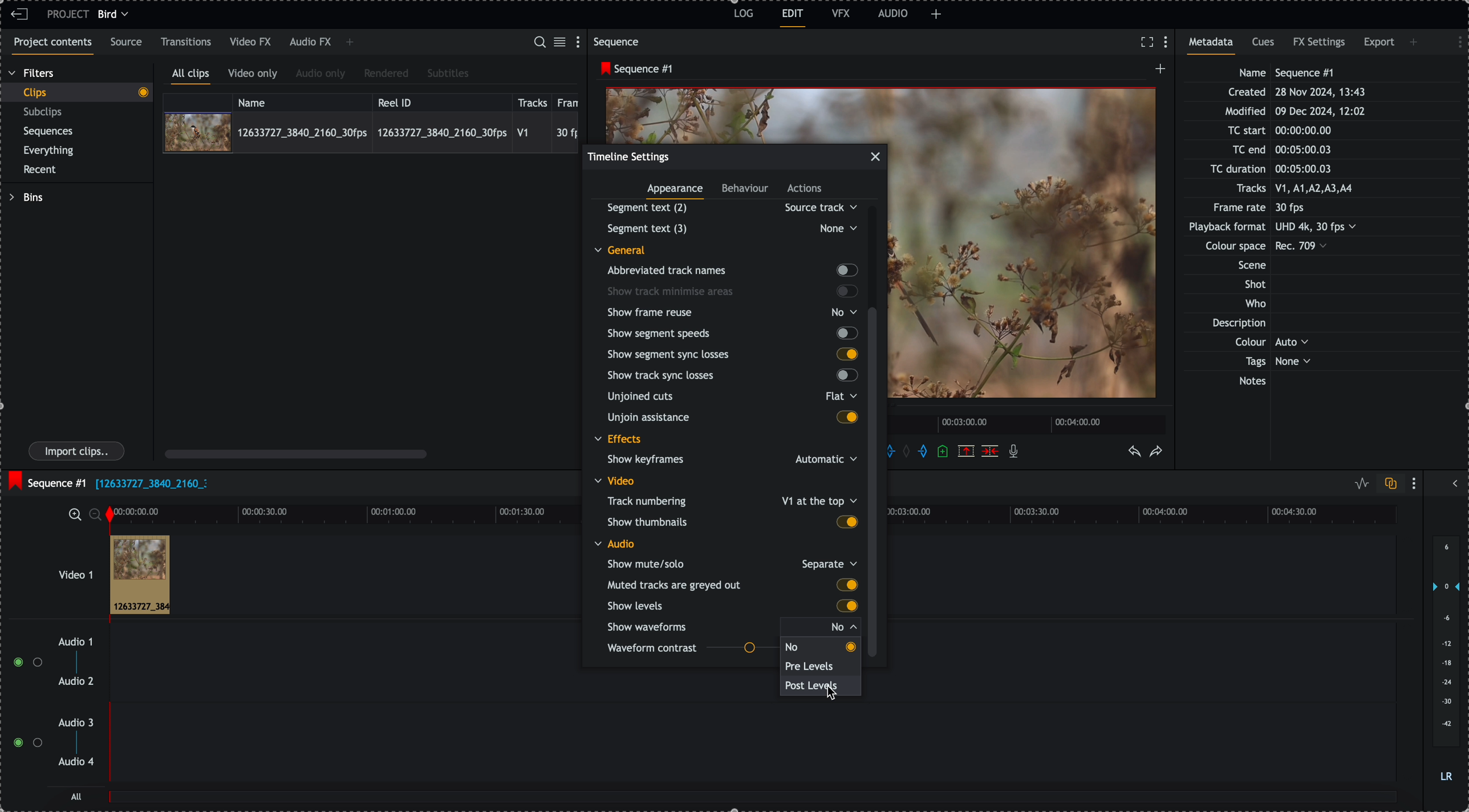  I want to click on show frame reuse, so click(734, 312).